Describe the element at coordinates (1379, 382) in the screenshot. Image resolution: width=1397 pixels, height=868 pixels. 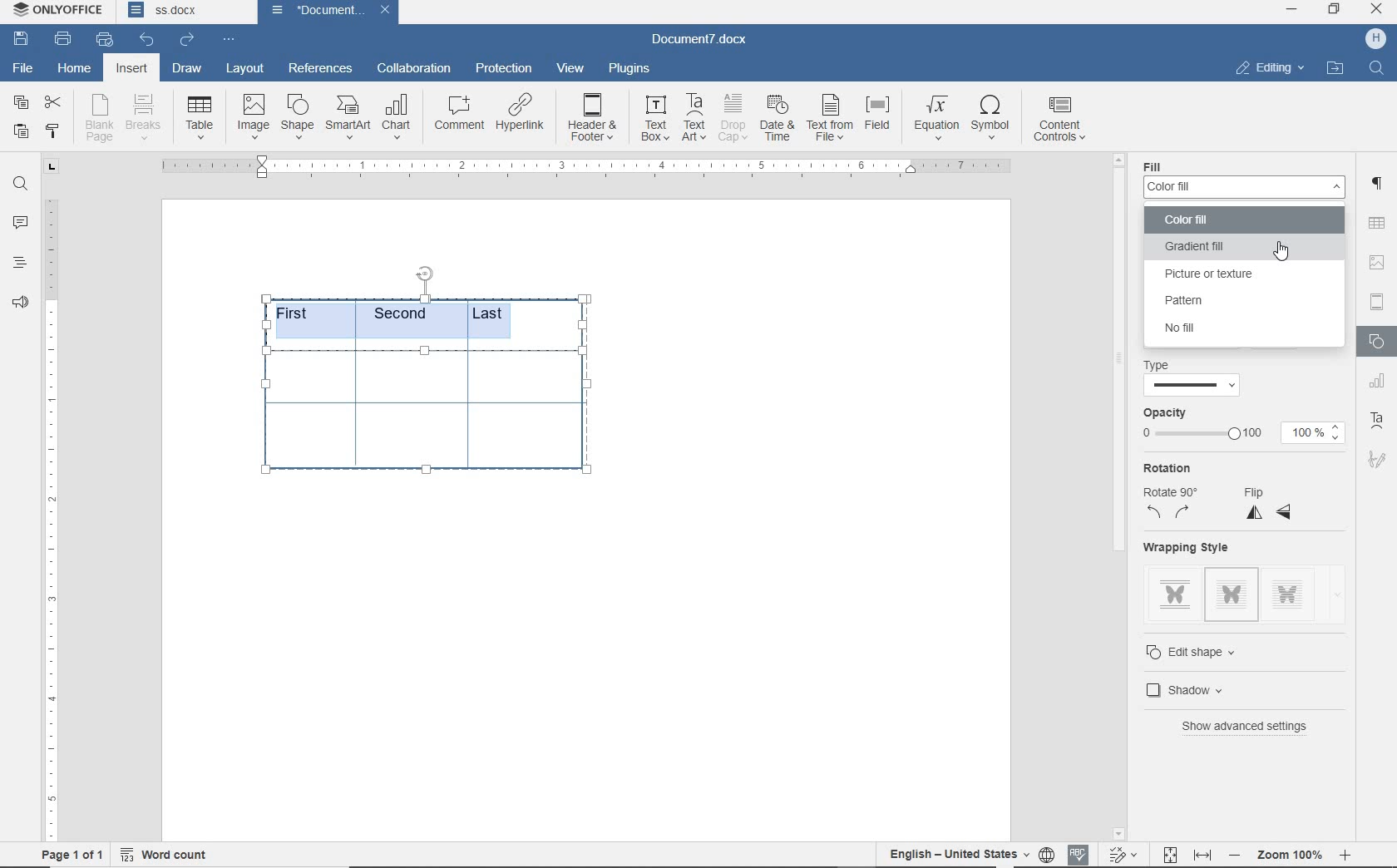
I see `TABLE` at that location.